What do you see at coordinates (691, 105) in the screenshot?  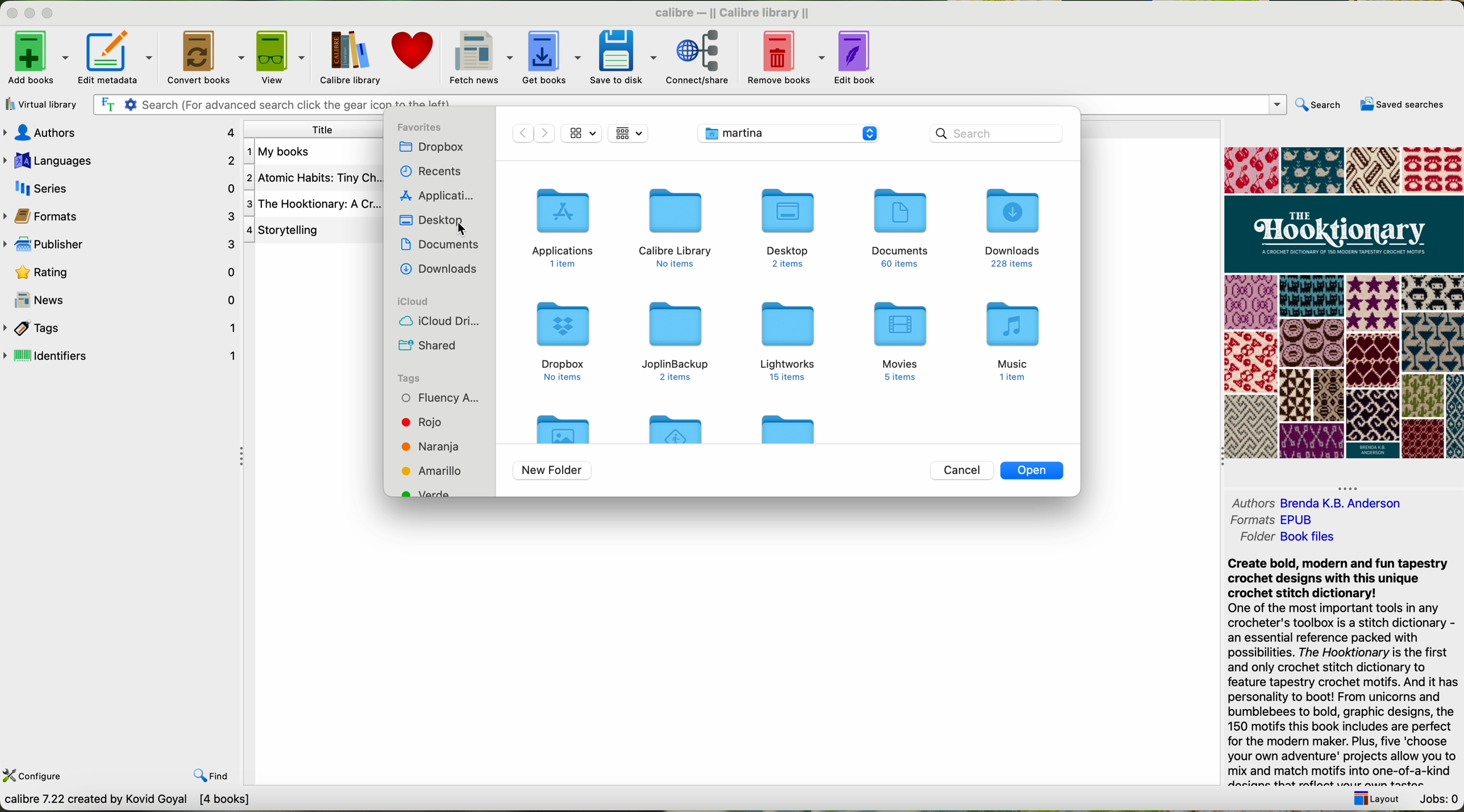 I see `search bar` at bounding box center [691, 105].